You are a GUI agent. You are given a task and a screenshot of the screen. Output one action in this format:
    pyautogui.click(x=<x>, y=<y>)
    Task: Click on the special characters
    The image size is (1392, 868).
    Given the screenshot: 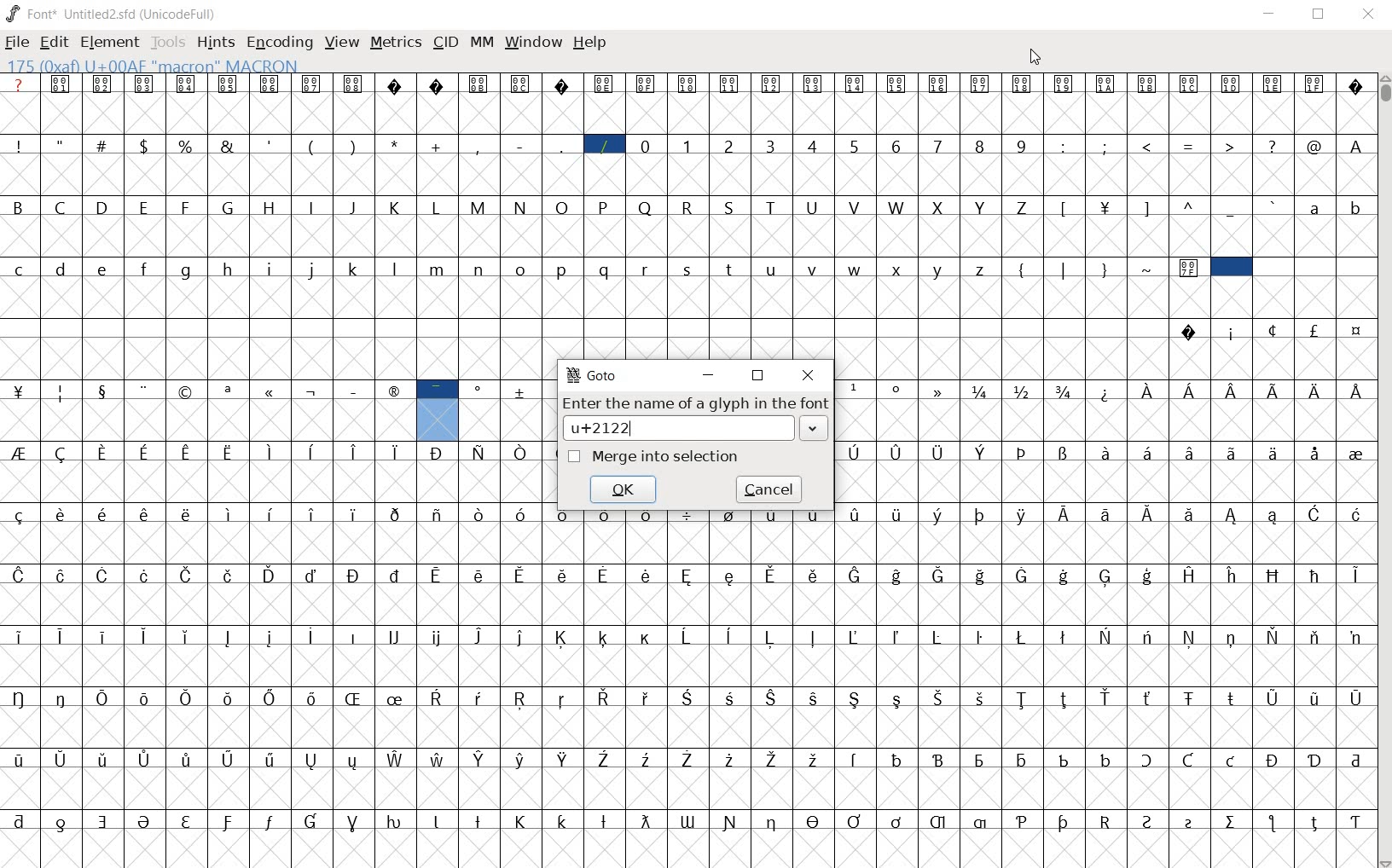 What is the action you would take?
    pyautogui.click(x=1270, y=350)
    